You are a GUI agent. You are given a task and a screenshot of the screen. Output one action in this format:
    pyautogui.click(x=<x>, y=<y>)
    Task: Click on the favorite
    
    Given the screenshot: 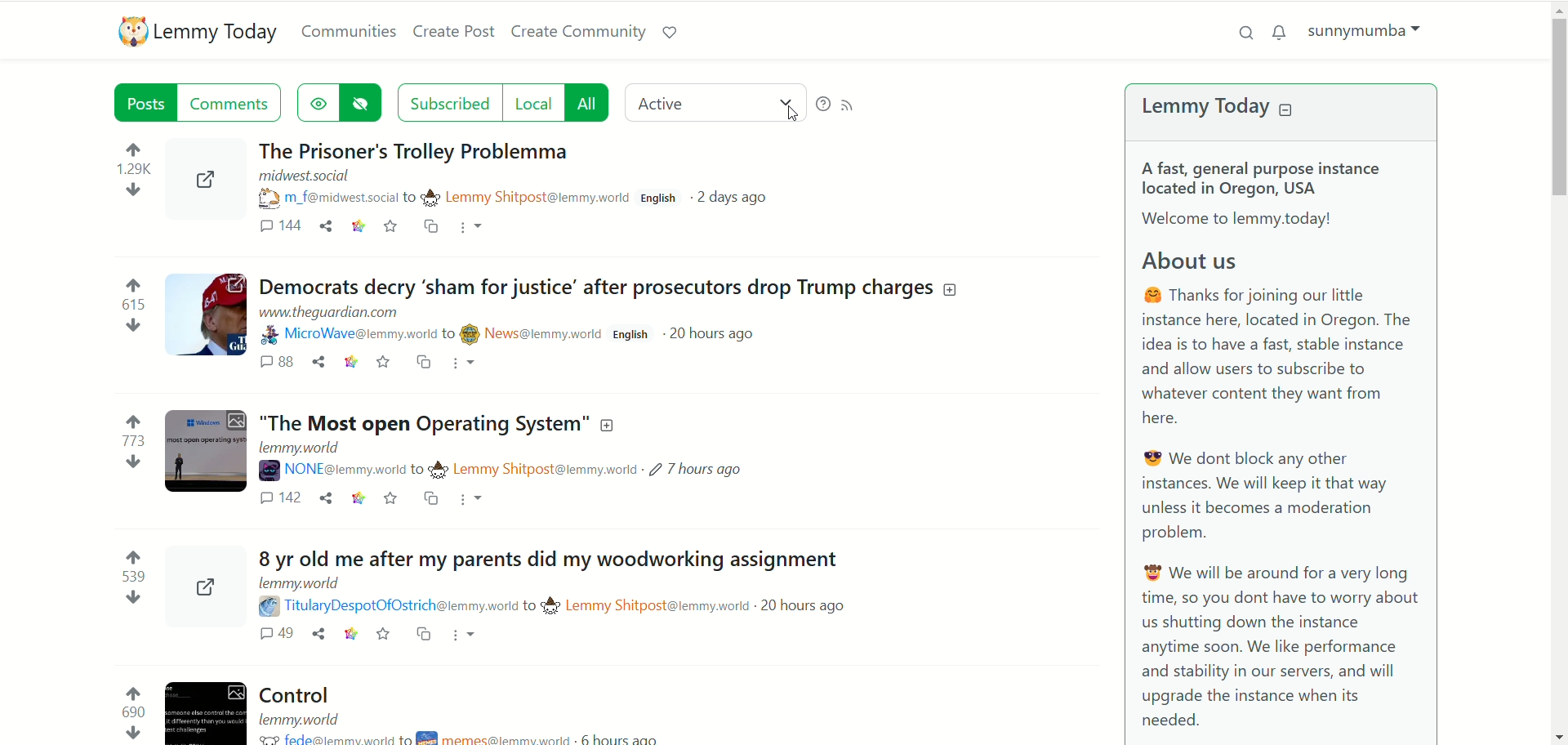 What is the action you would take?
    pyautogui.click(x=393, y=224)
    